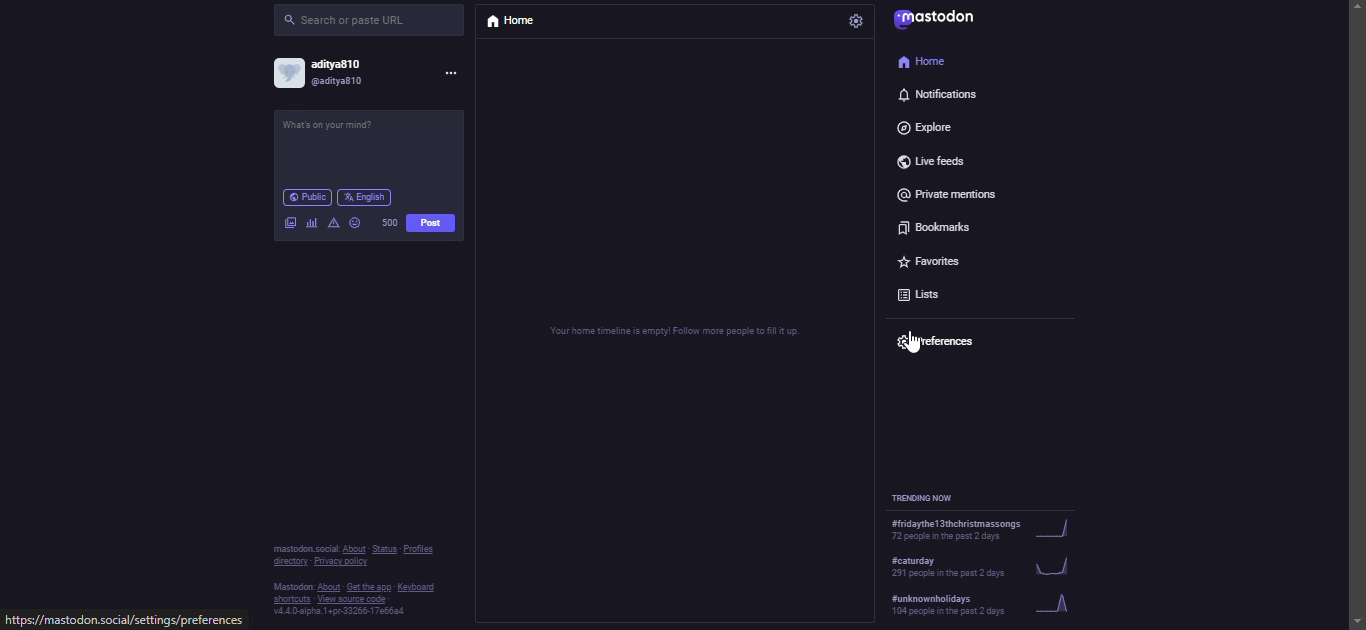  What do you see at coordinates (518, 23) in the screenshot?
I see `home` at bounding box center [518, 23].